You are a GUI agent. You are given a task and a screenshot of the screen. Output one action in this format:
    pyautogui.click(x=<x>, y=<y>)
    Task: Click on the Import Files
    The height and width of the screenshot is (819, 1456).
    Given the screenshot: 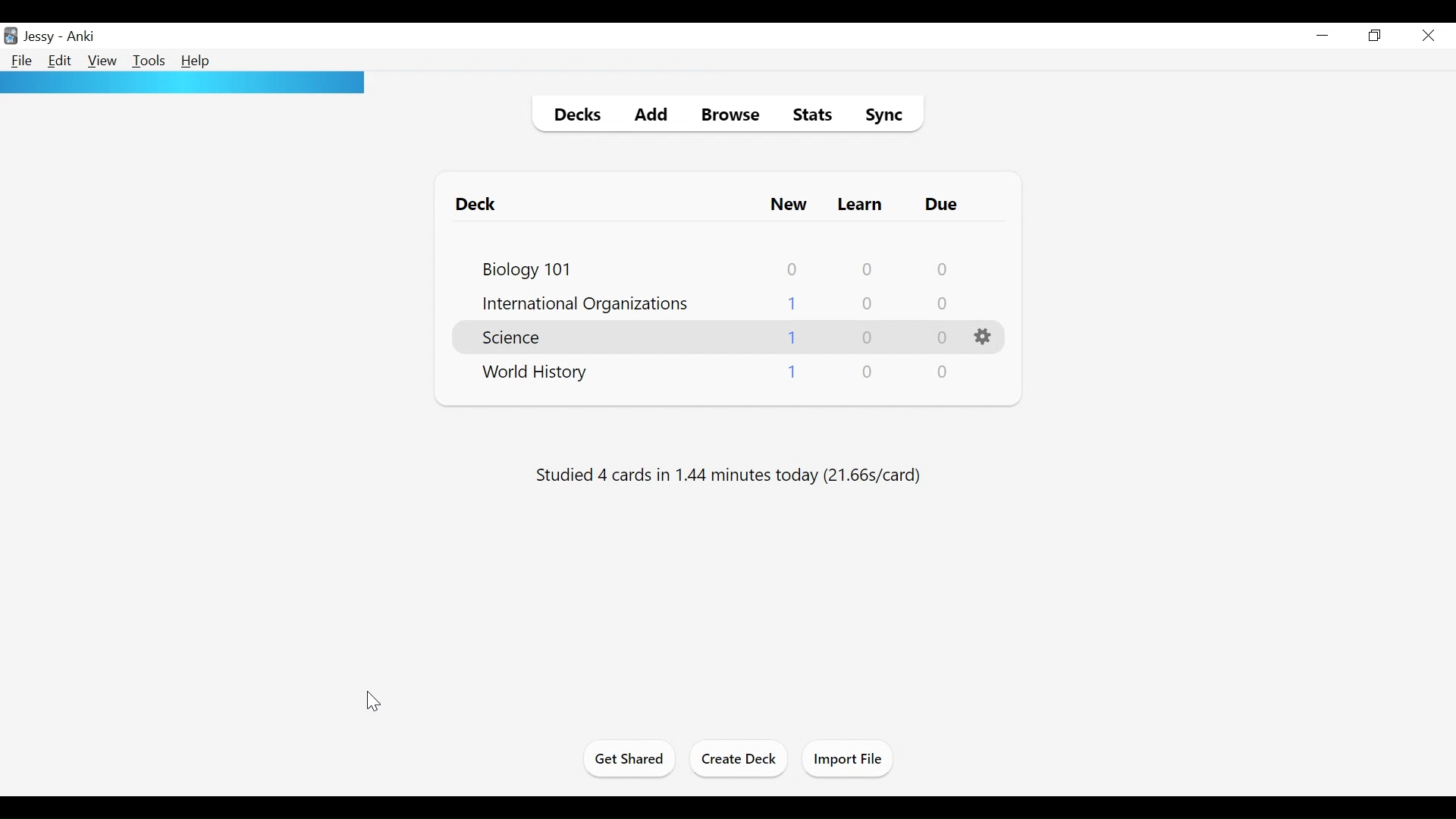 What is the action you would take?
    pyautogui.click(x=845, y=761)
    